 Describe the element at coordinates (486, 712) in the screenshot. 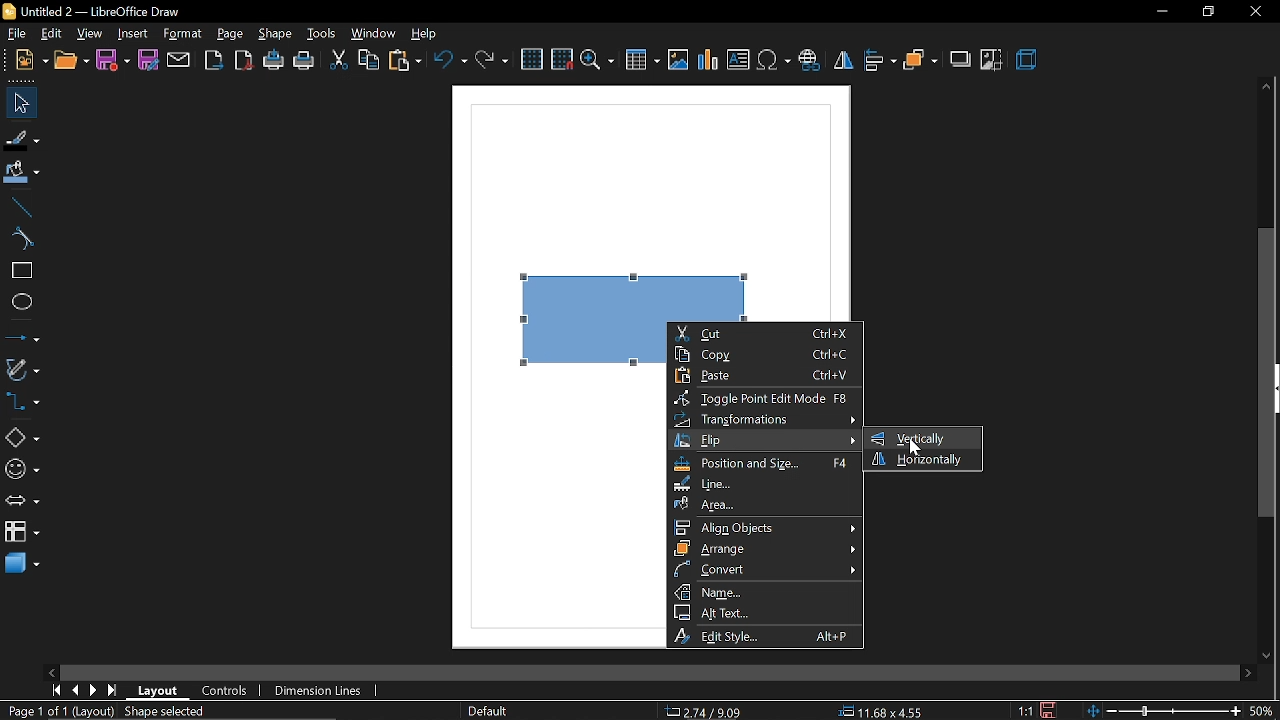

I see `Default` at that location.